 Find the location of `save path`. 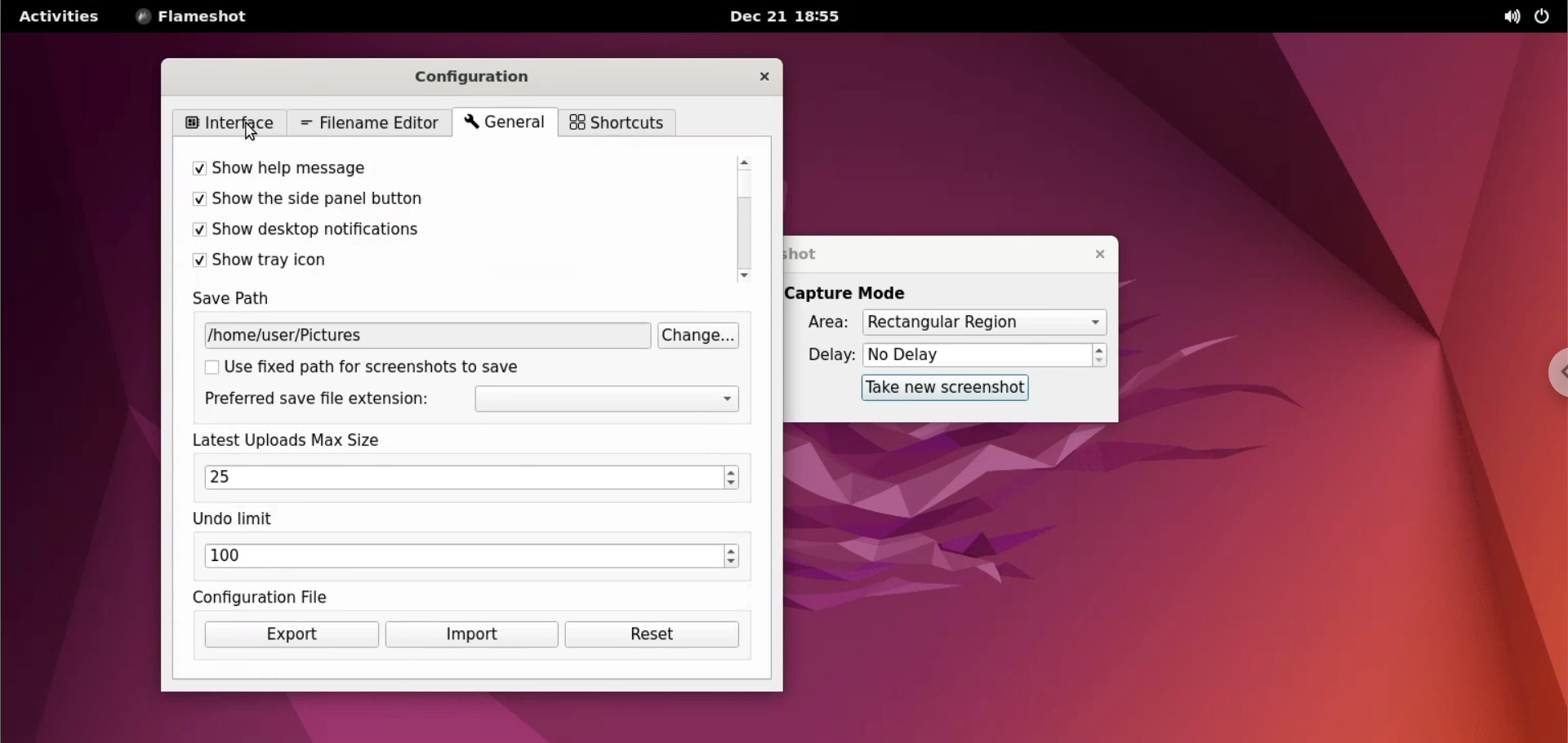

save path is located at coordinates (242, 300).